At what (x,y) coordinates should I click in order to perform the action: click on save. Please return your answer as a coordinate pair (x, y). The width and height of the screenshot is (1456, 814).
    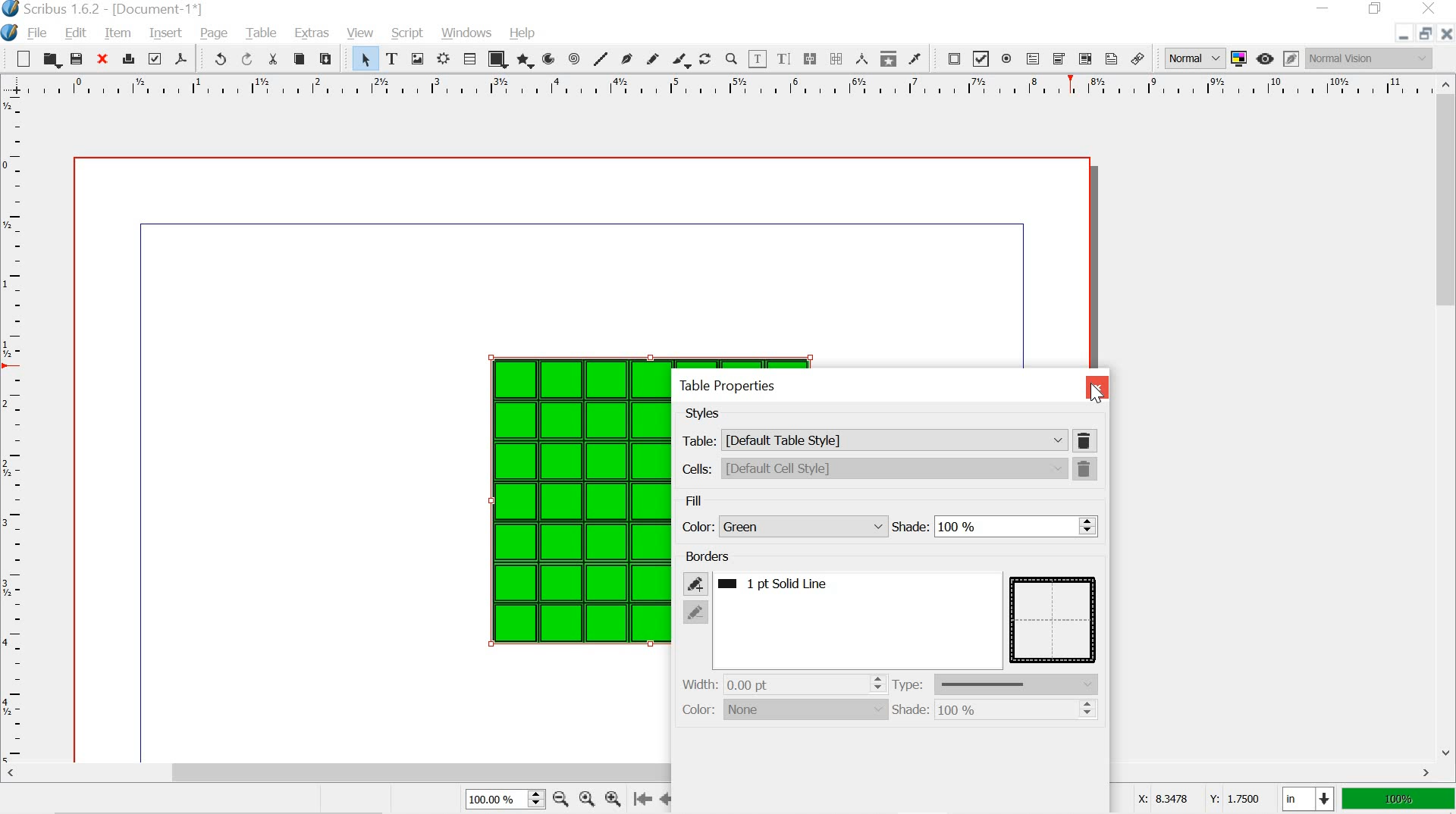
    Looking at the image, I should click on (77, 58).